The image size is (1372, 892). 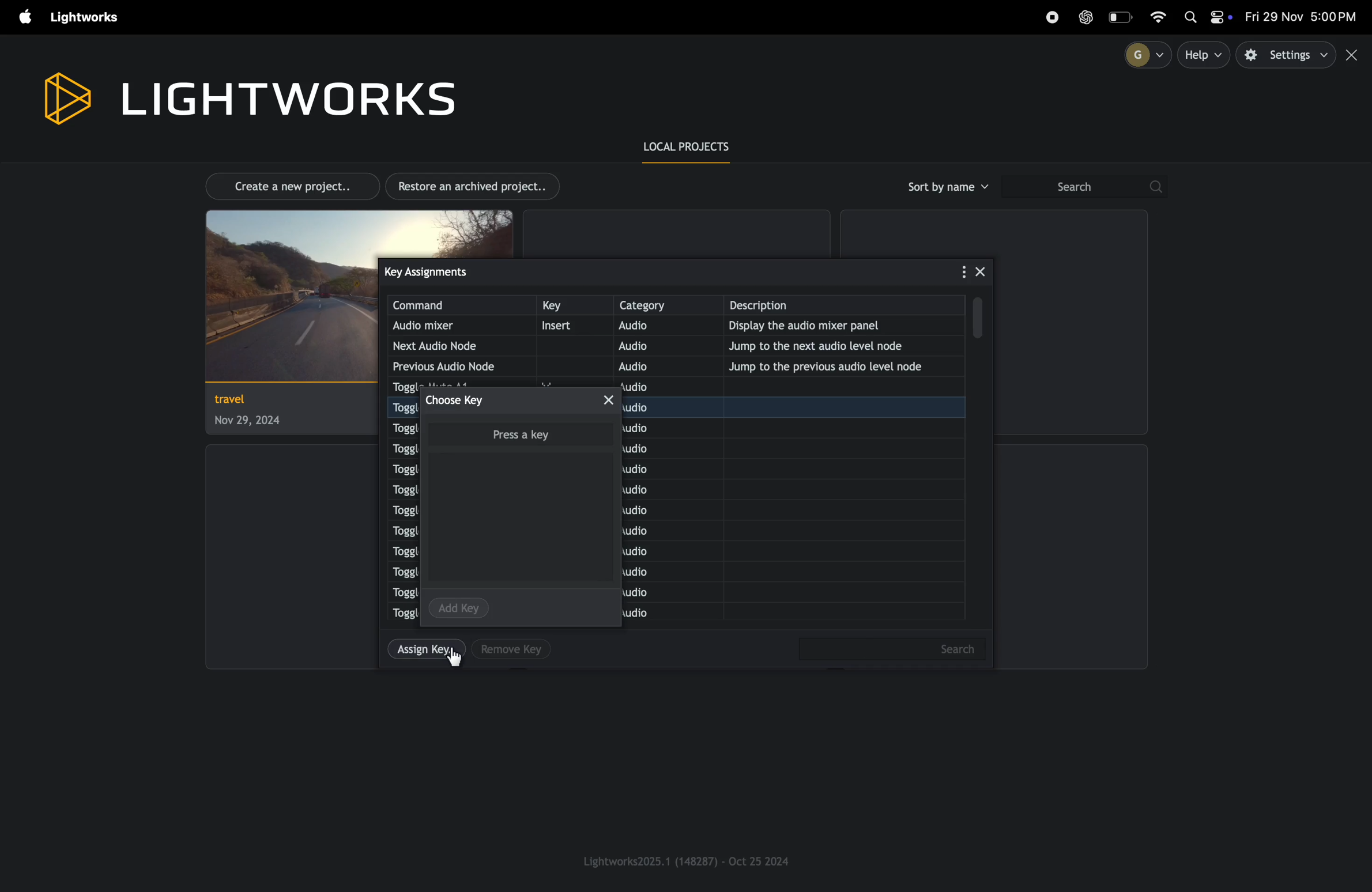 I want to click on apple widgets, so click(x=1207, y=18).